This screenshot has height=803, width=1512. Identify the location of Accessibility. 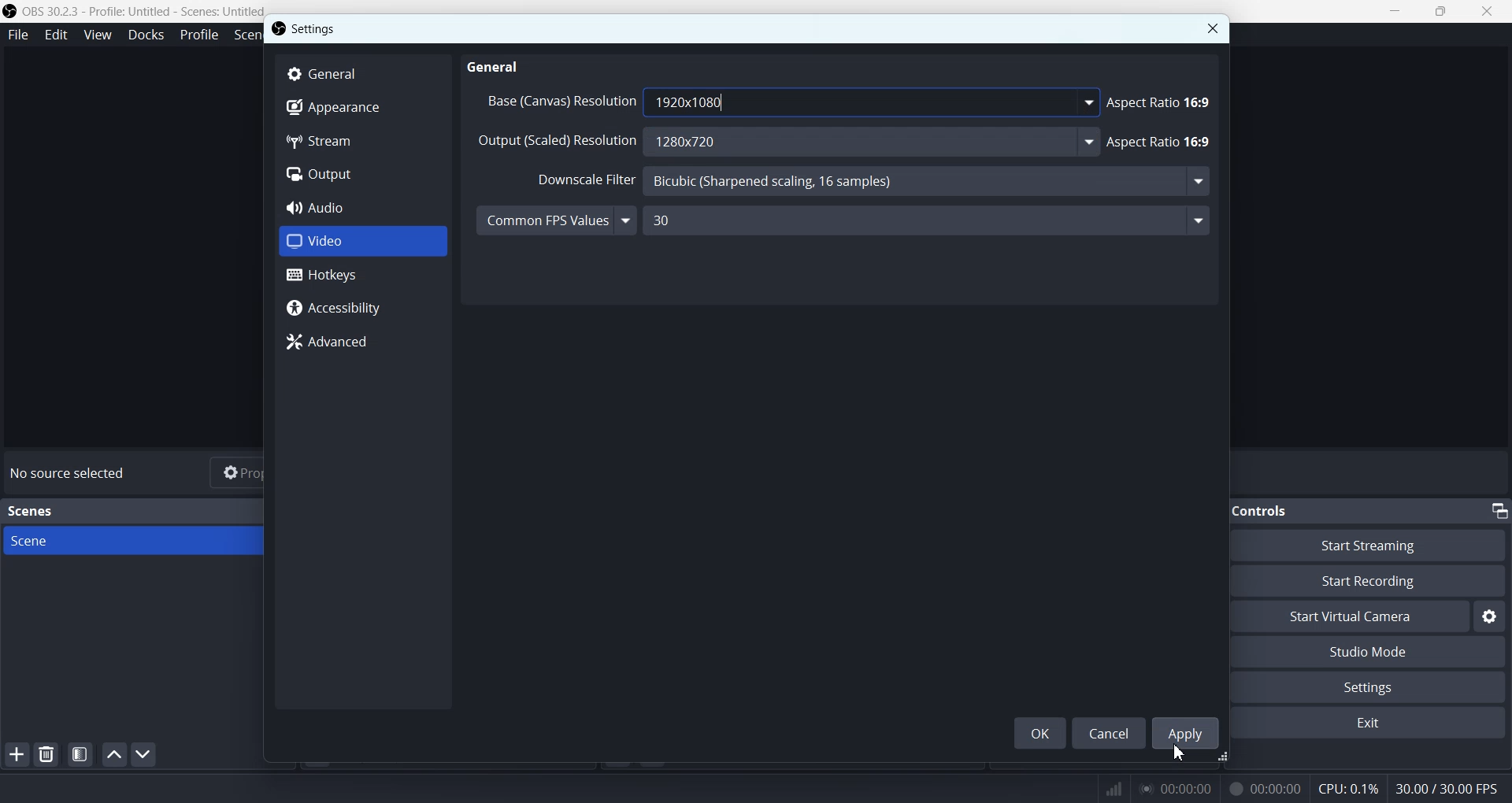
(362, 309).